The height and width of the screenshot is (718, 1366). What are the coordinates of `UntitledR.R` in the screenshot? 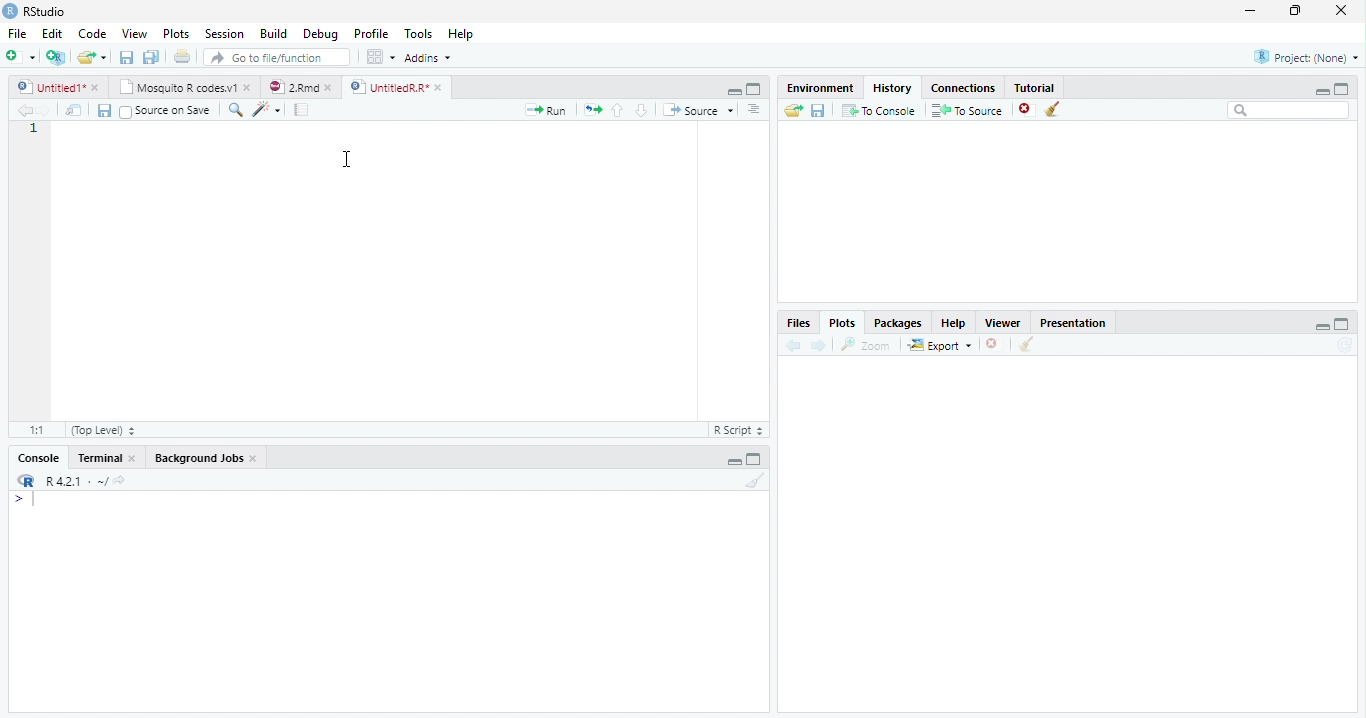 It's located at (403, 86).